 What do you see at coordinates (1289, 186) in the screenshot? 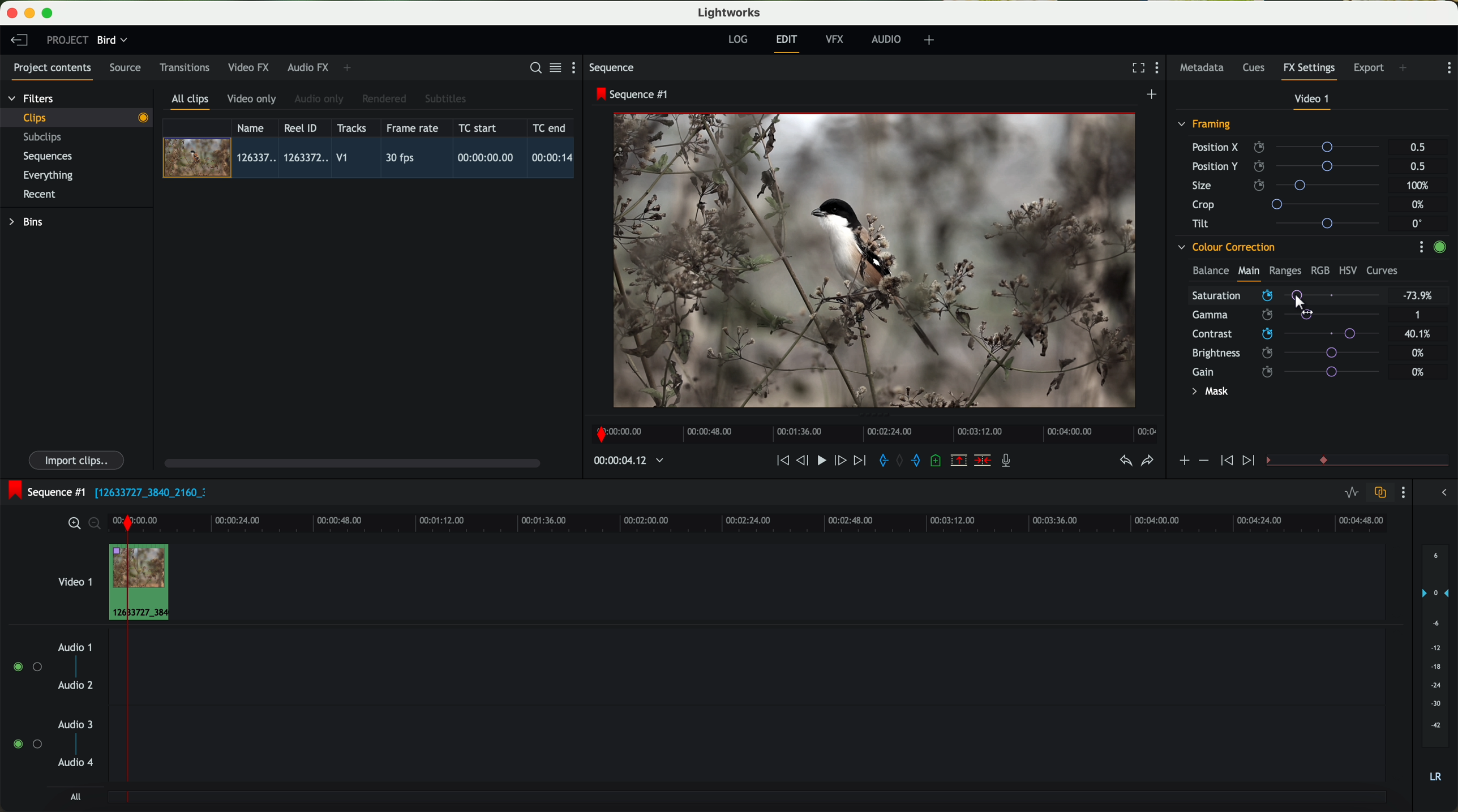
I see `size` at bounding box center [1289, 186].